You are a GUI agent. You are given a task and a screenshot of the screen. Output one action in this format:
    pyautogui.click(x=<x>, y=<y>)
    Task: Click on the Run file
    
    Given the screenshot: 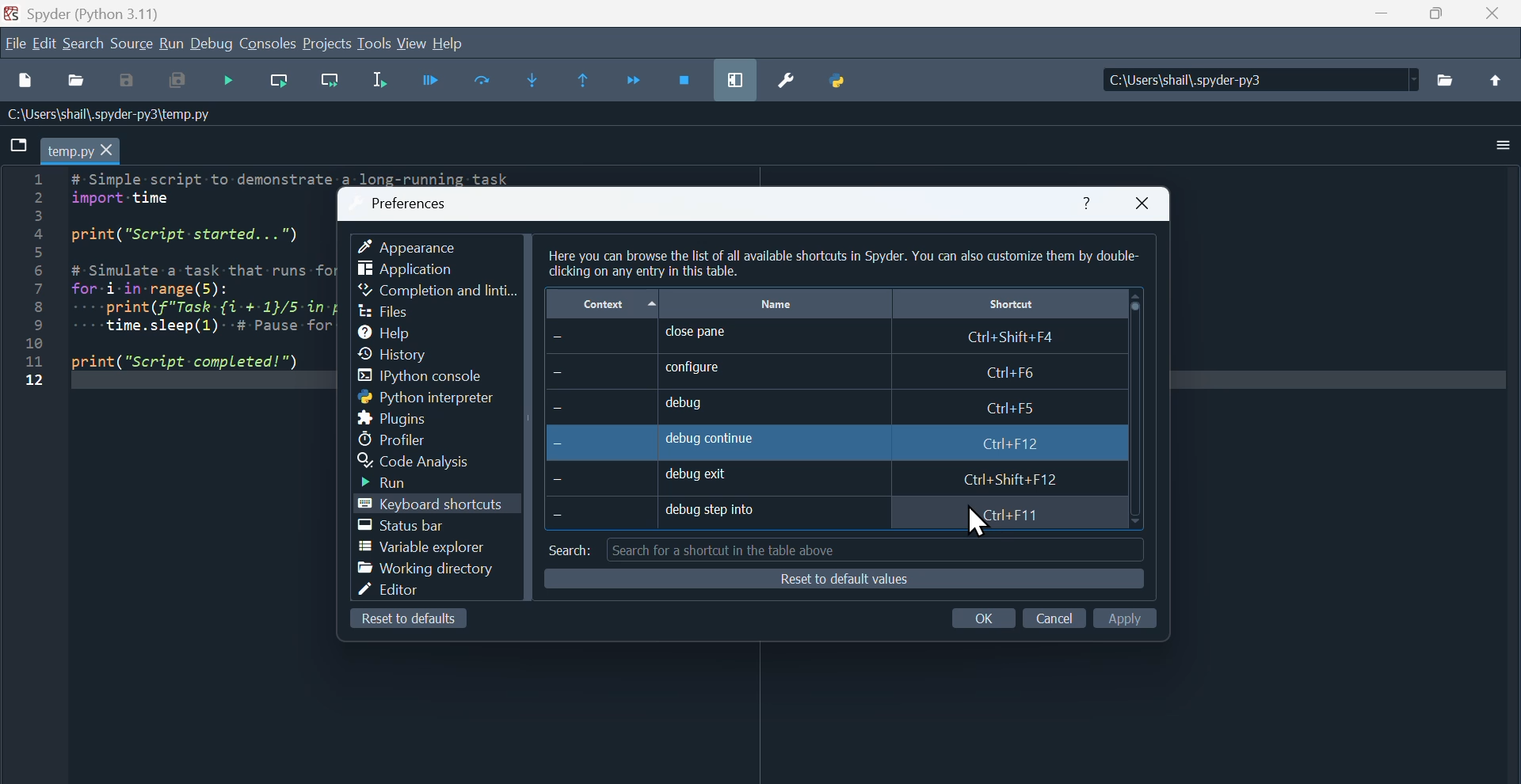 What is the action you would take?
    pyautogui.click(x=432, y=83)
    